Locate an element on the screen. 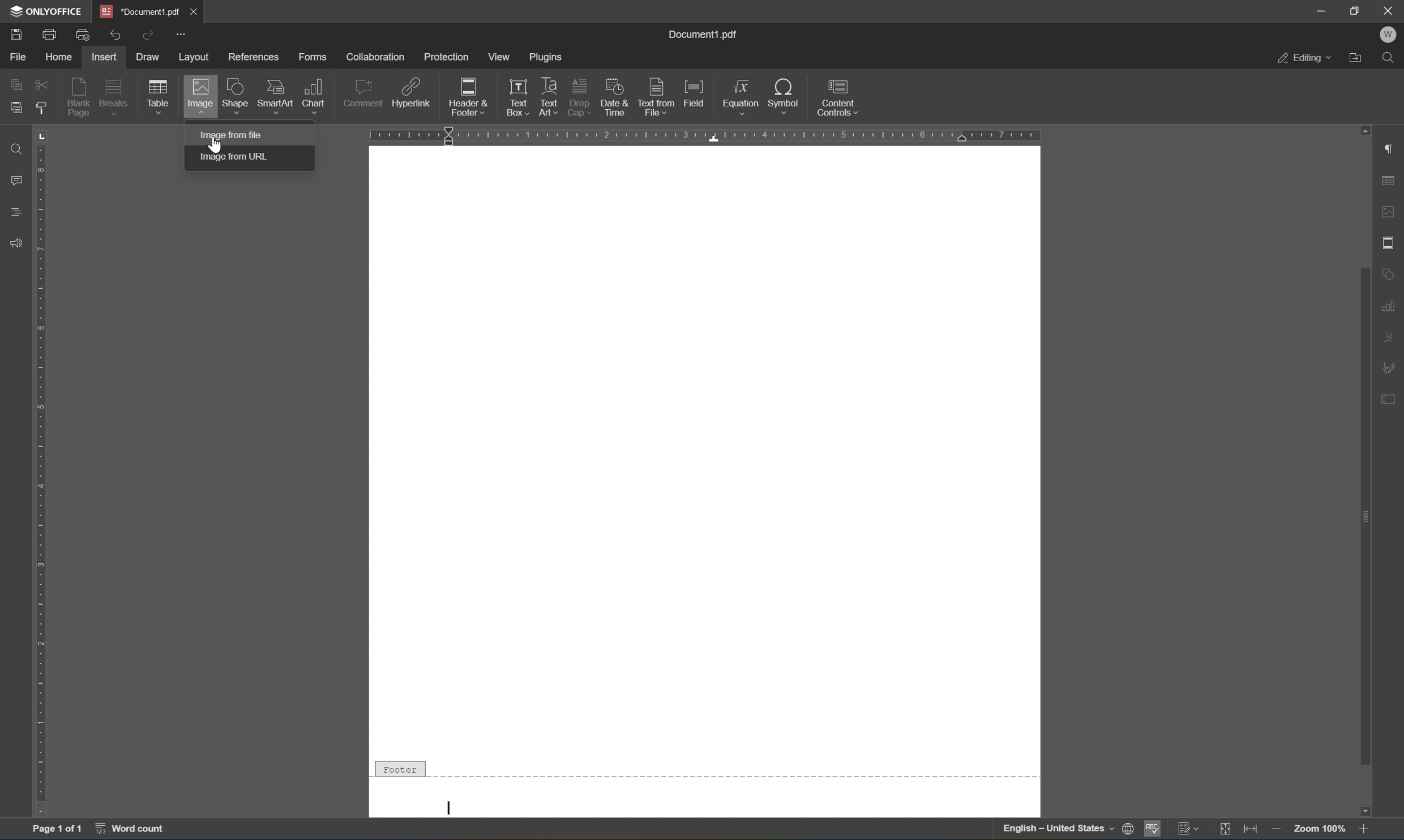  copy style is located at coordinates (40, 107).